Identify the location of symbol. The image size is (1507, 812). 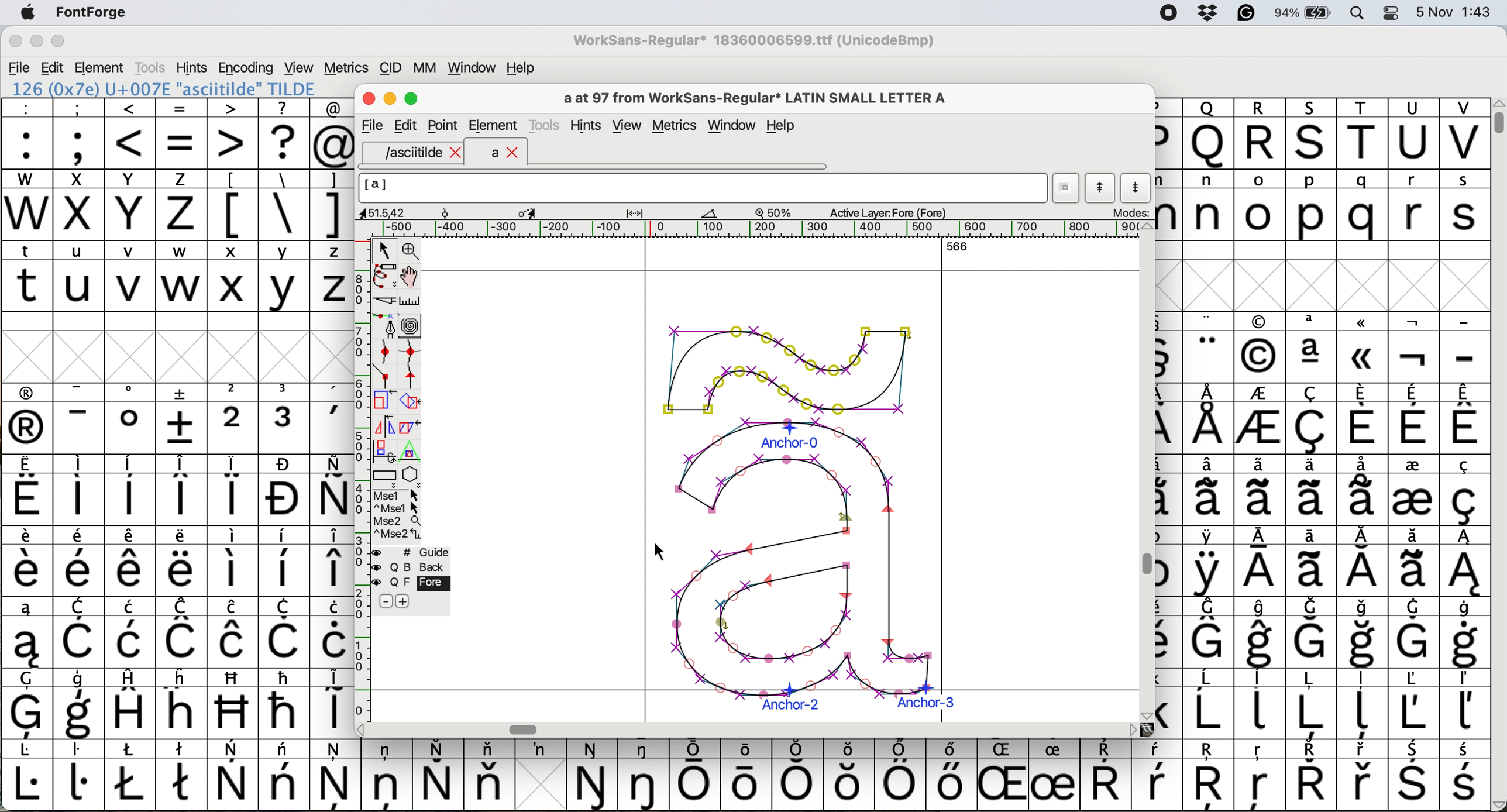
(233, 560).